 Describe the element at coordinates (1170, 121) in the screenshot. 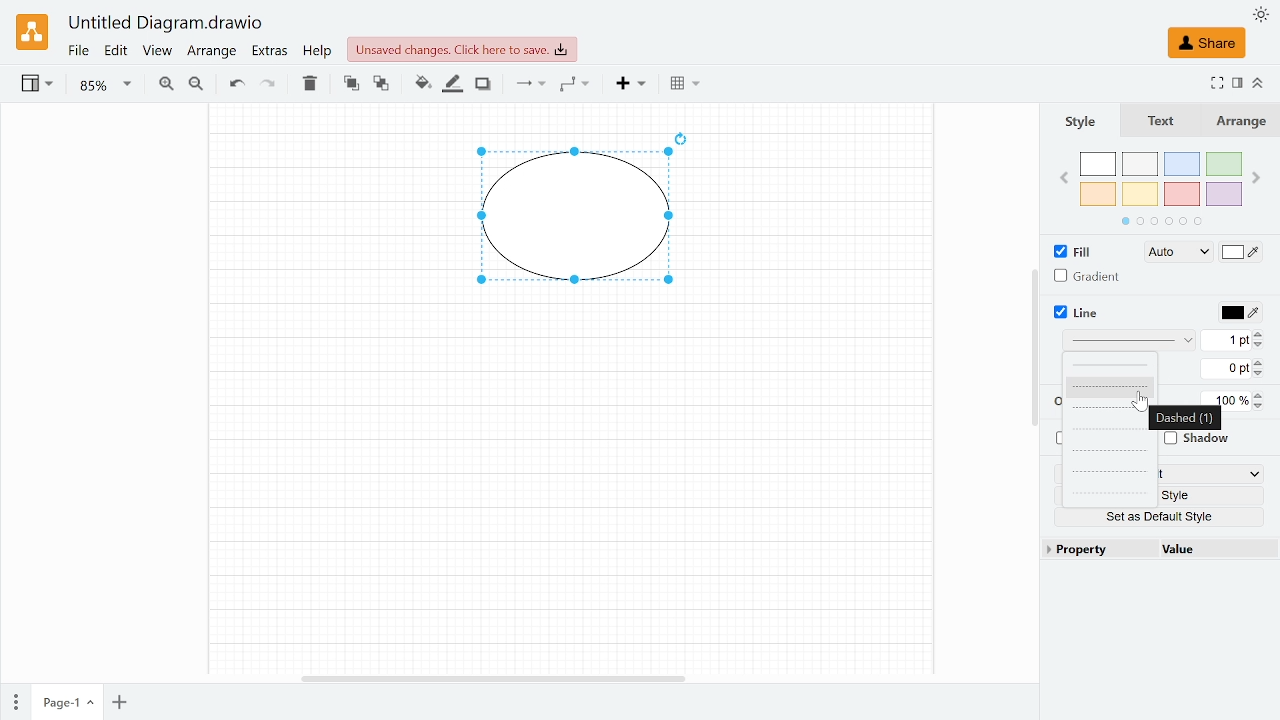

I see `Text` at that location.